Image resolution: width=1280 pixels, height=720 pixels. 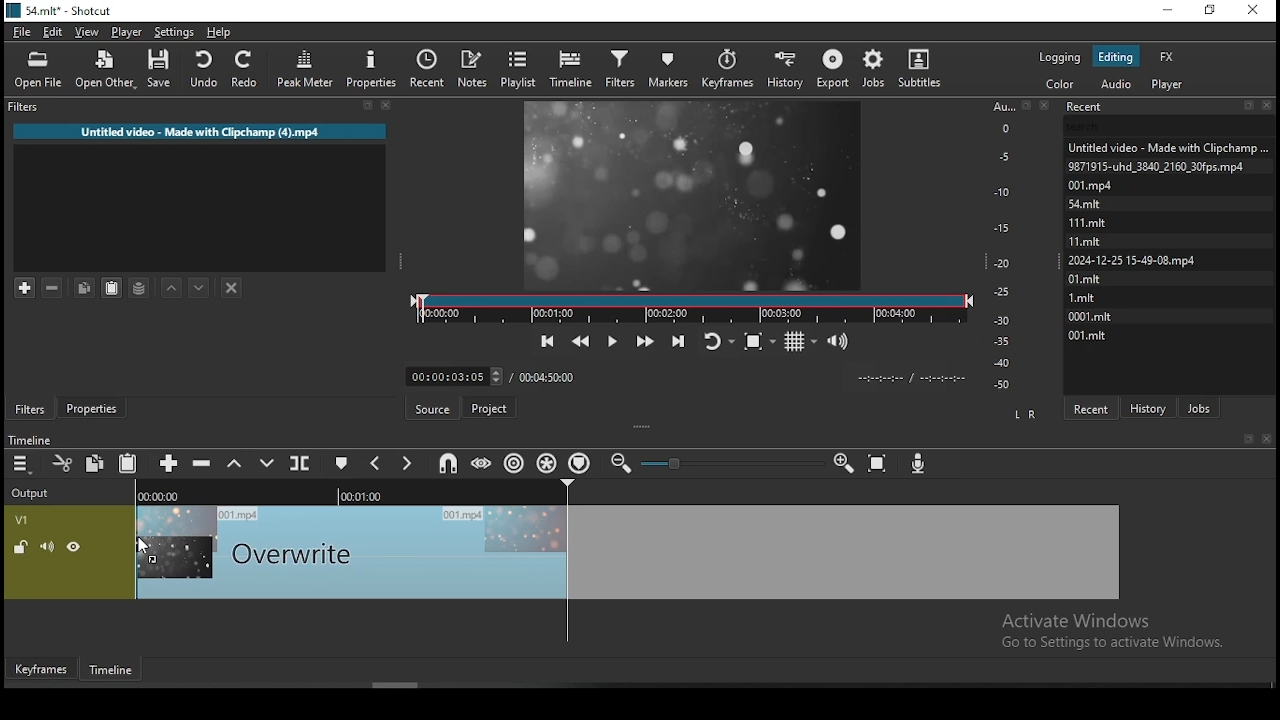 I want to click on view, so click(x=87, y=32).